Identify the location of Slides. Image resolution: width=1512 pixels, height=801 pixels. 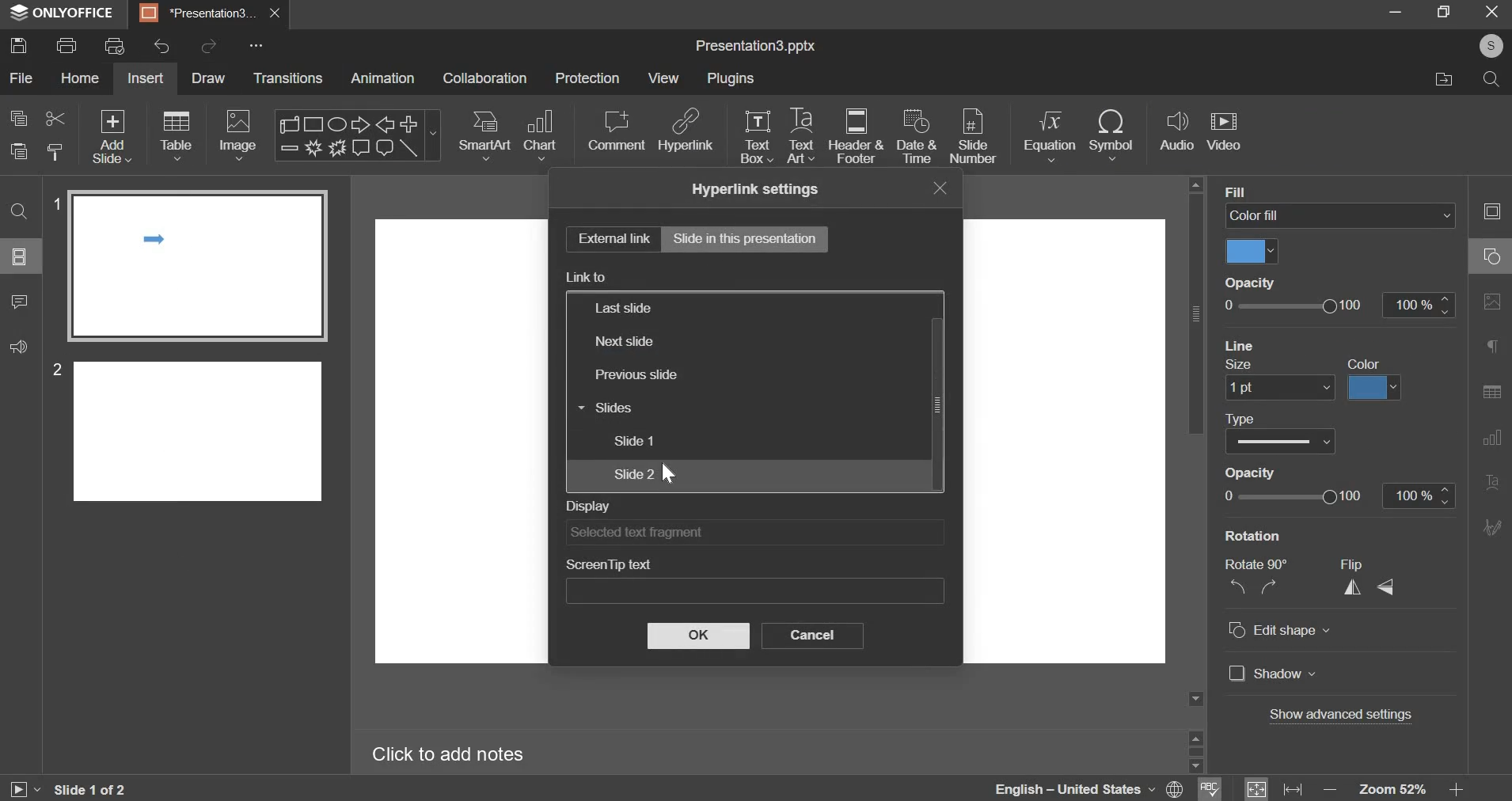
(647, 409).